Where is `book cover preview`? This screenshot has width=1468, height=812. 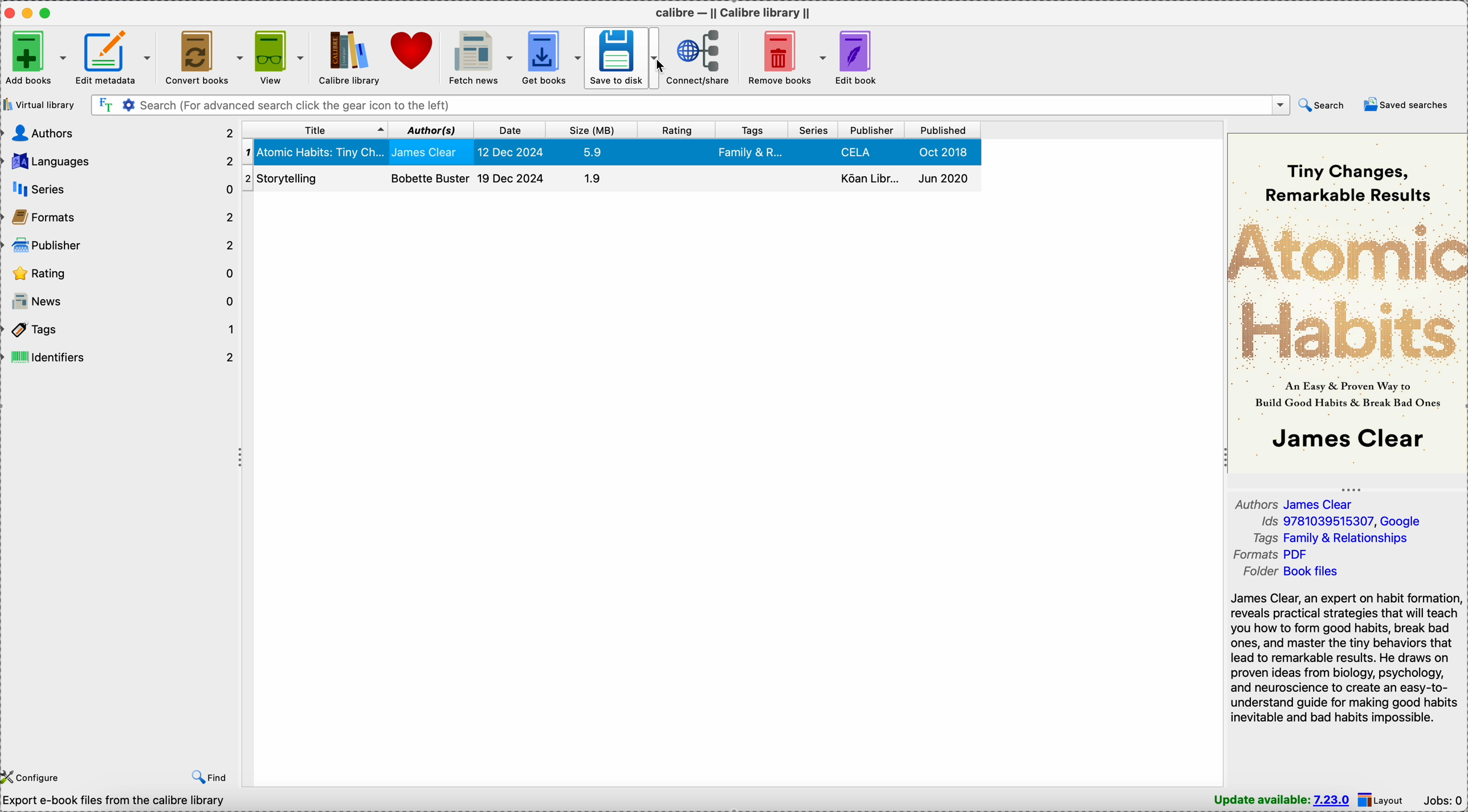 book cover preview is located at coordinates (1346, 303).